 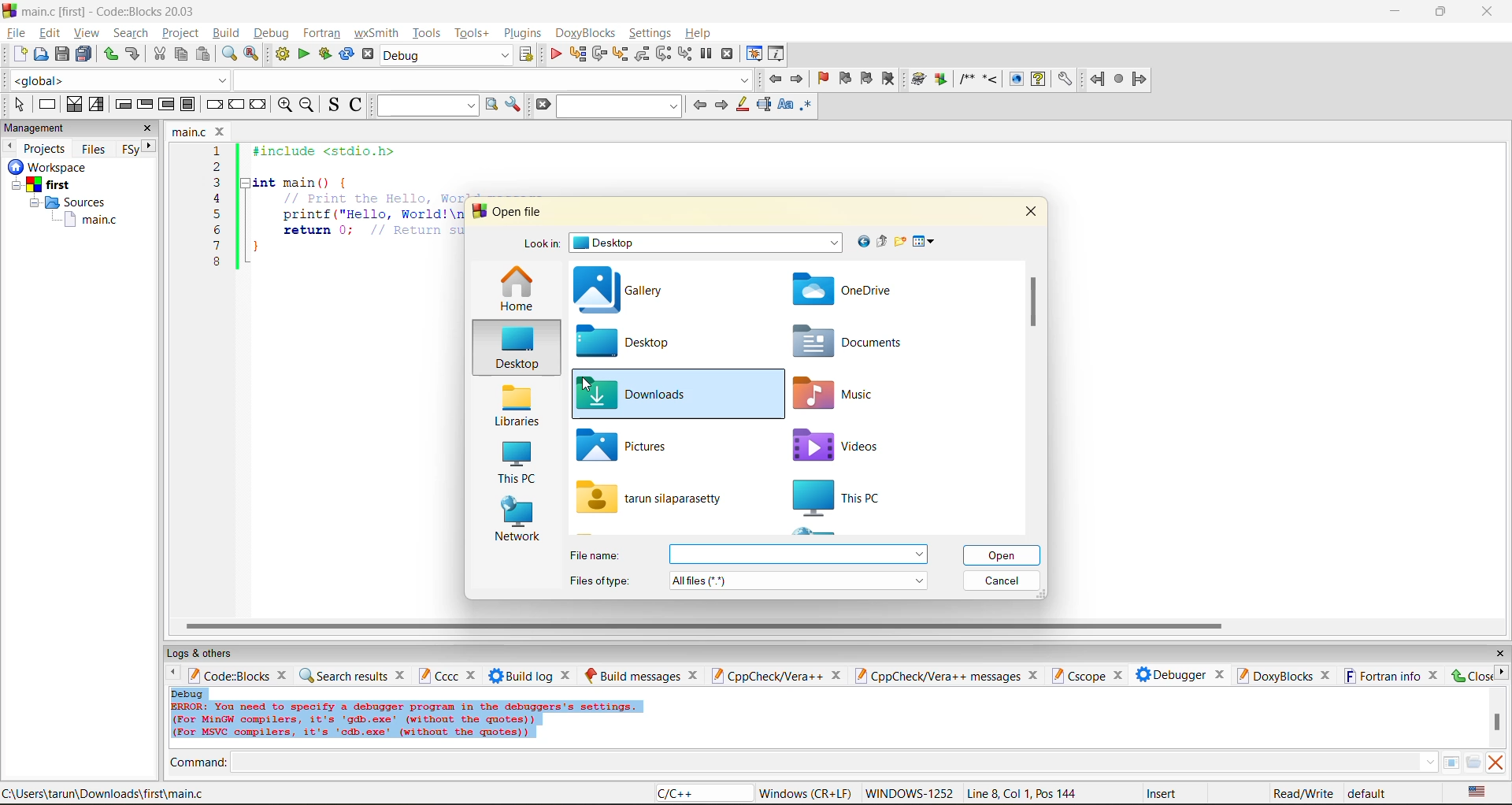 I want to click on vertical scroll bar, so click(x=1496, y=722).